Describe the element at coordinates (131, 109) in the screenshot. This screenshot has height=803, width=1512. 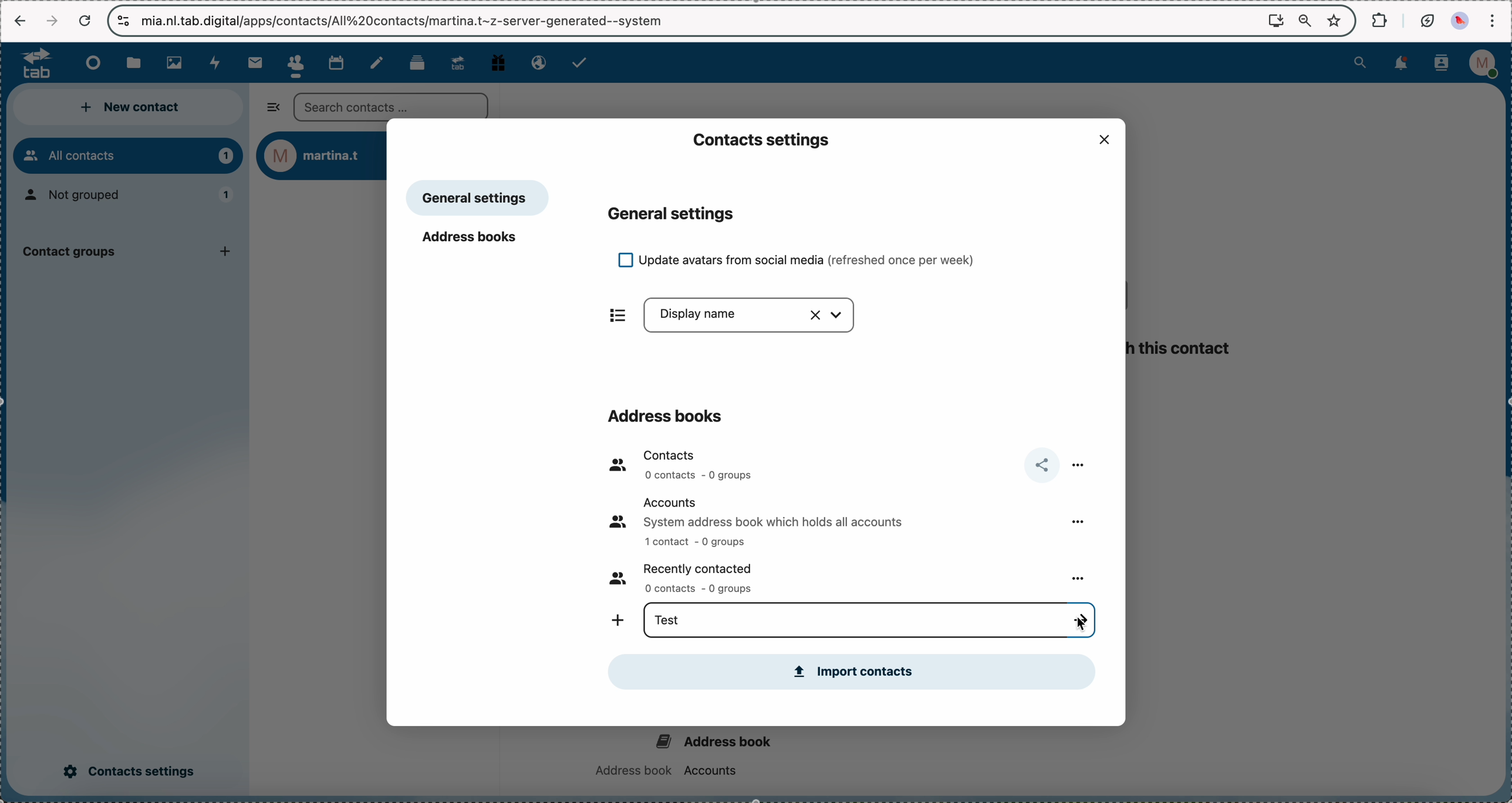
I see `new contact` at that location.